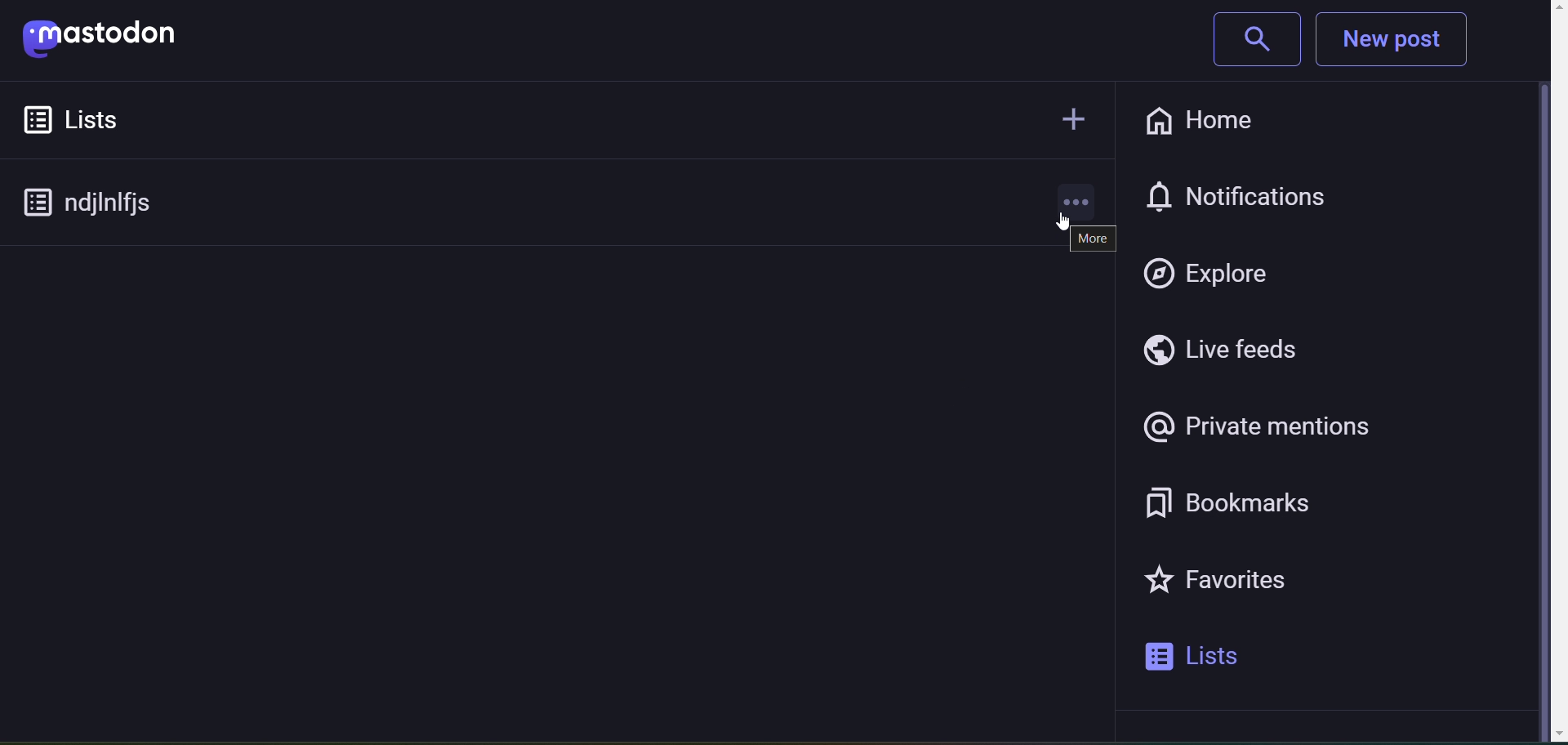 The image size is (1568, 745). What do you see at coordinates (1240, 586) in the screenshot?
I see `favorites` at bounding box center [1240, 586].